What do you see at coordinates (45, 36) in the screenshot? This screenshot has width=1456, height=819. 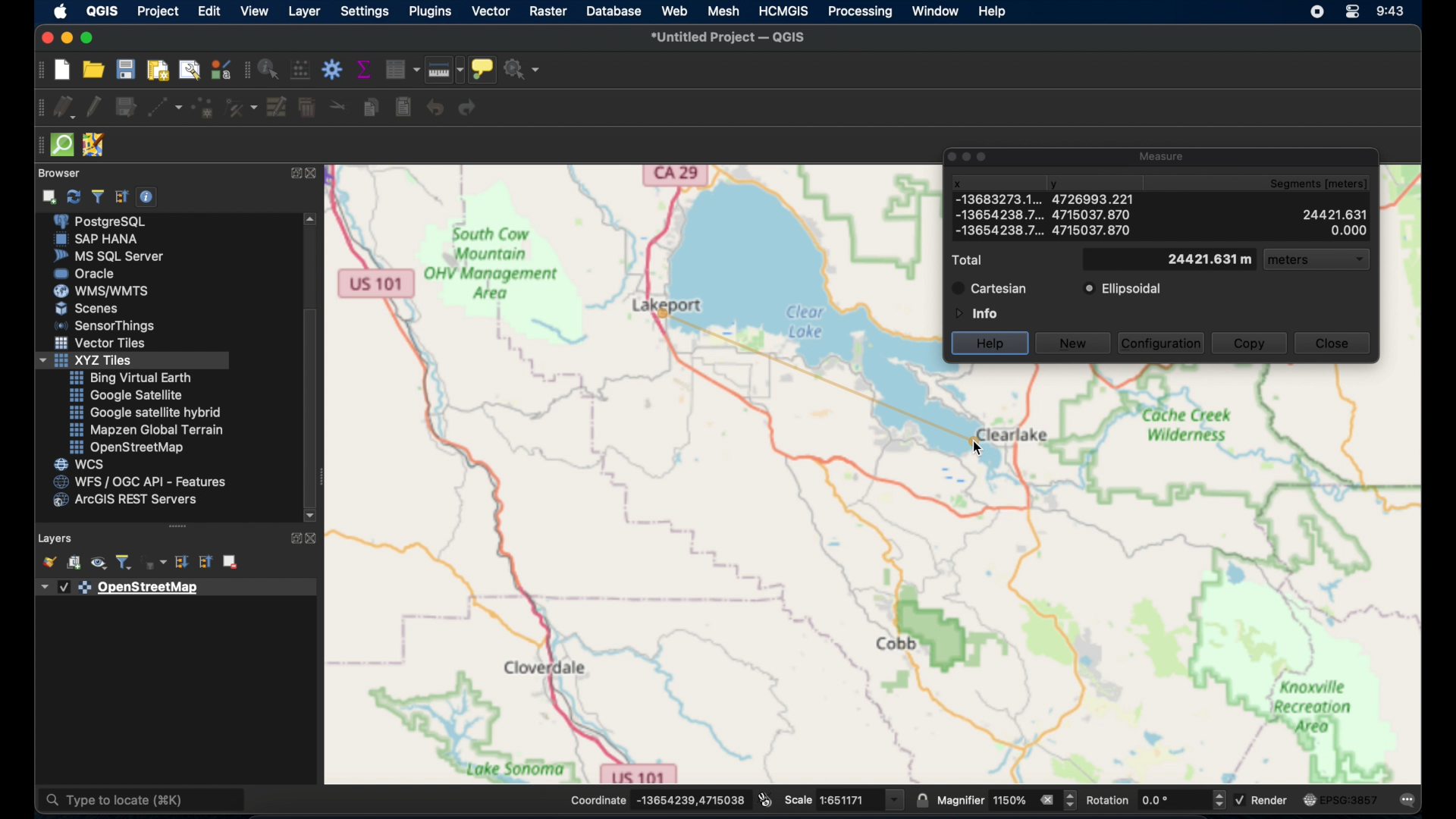 I see `close` at bounding box center [45, 36].